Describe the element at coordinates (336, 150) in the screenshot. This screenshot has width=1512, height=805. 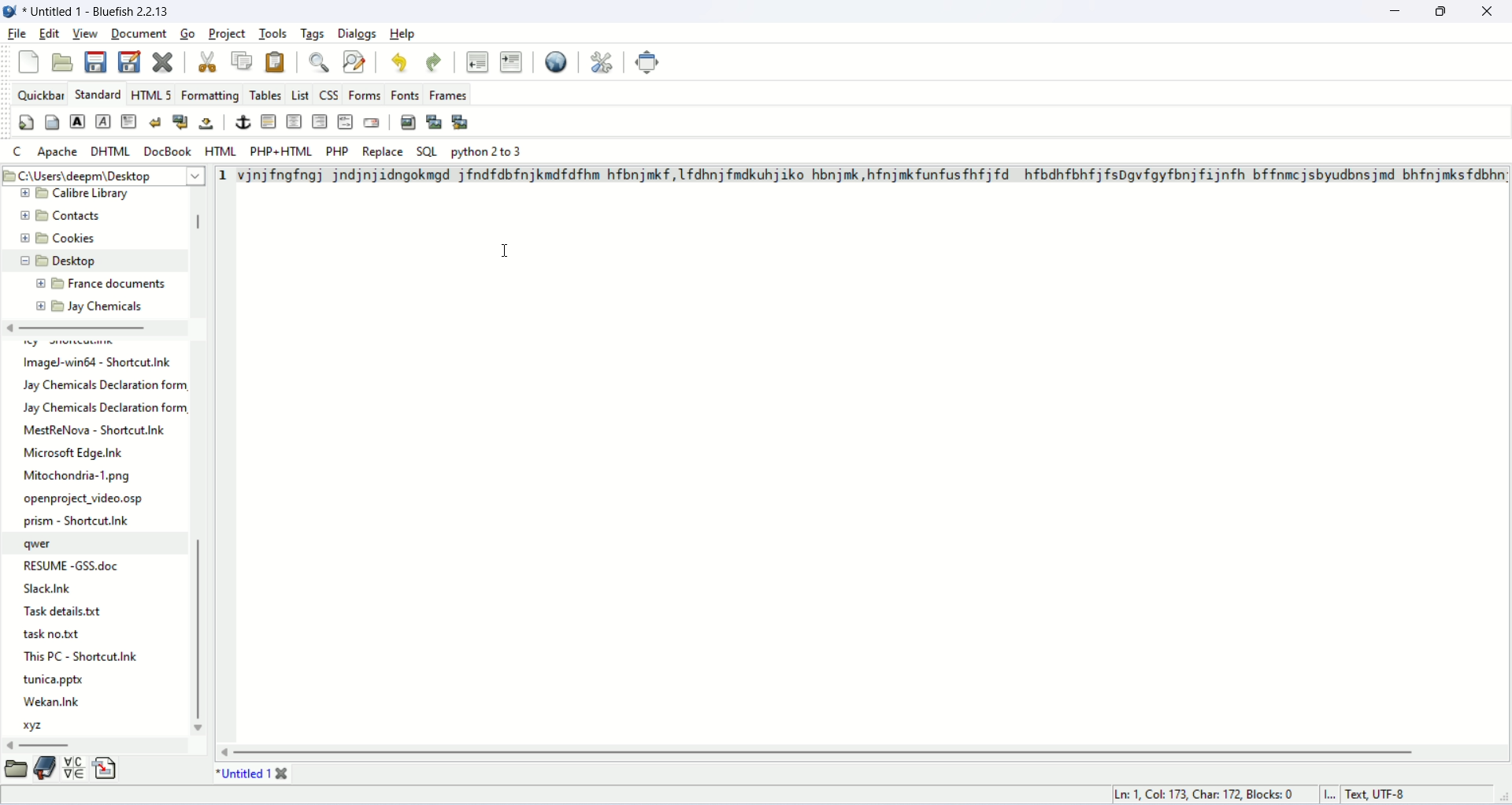
I see `PHP` at that location.